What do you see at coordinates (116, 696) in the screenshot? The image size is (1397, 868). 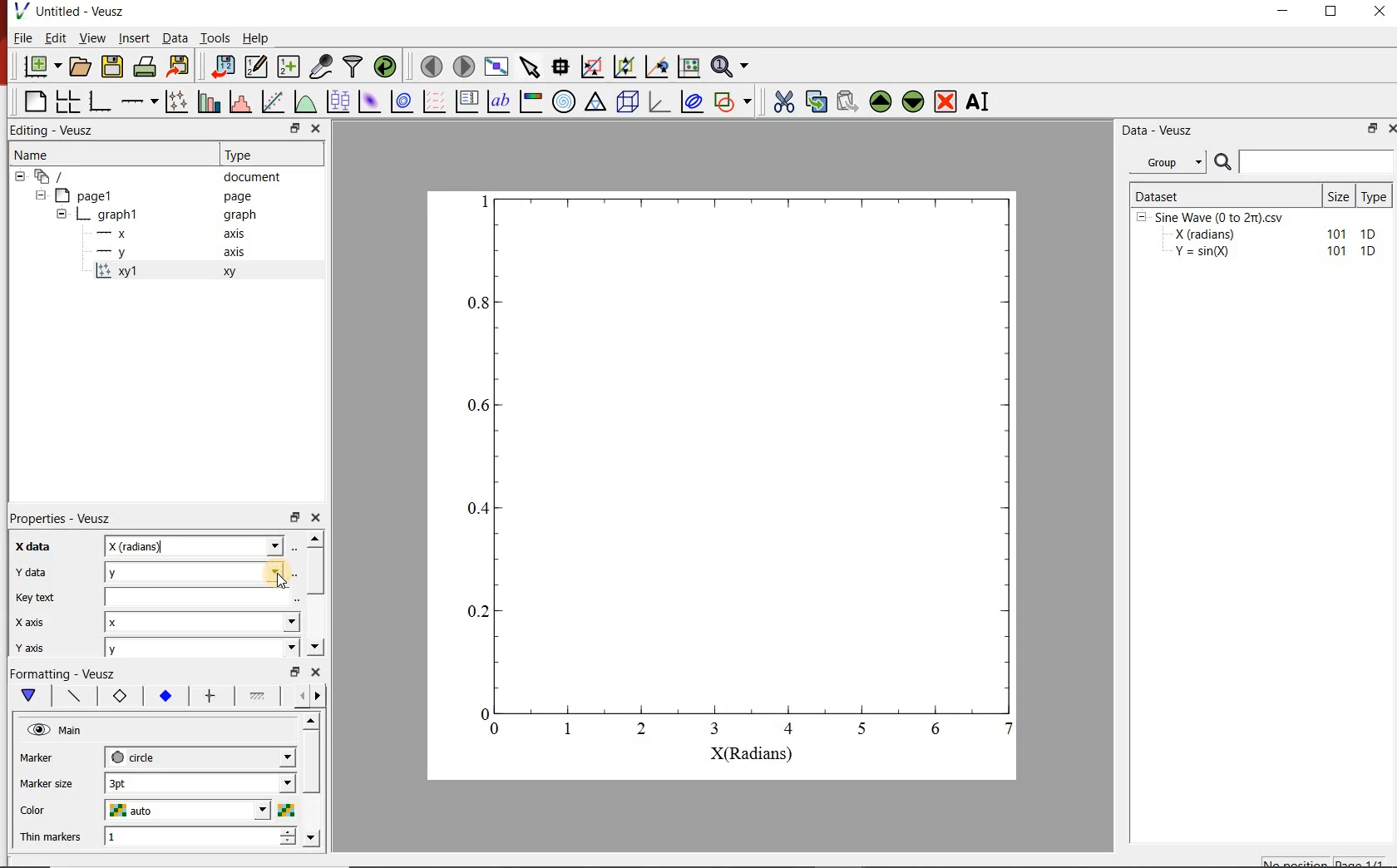 I see `xy` at bounding box center [116, 696].